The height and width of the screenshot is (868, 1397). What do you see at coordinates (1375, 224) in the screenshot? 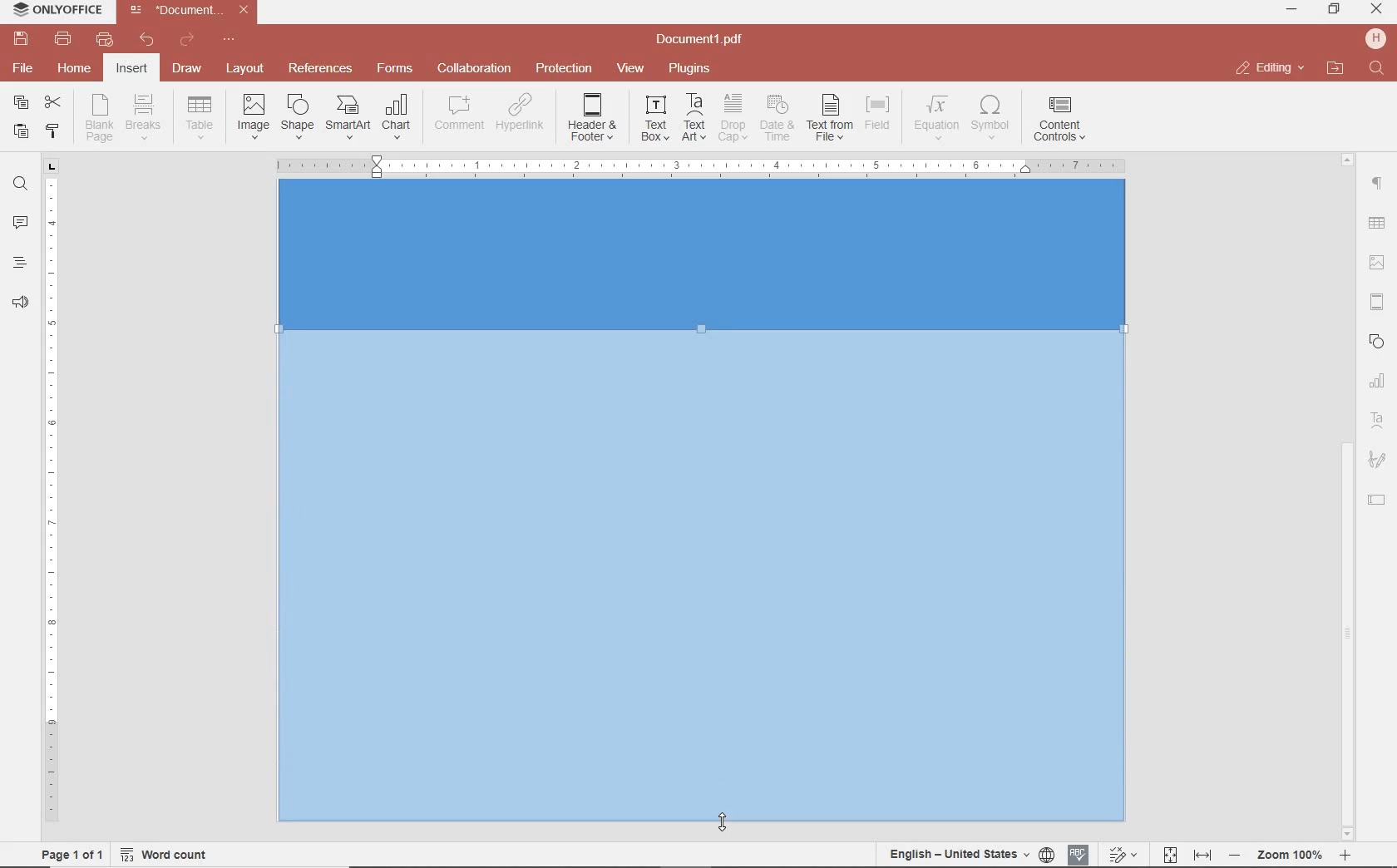
I see `` at bounding box center [1375, 224].